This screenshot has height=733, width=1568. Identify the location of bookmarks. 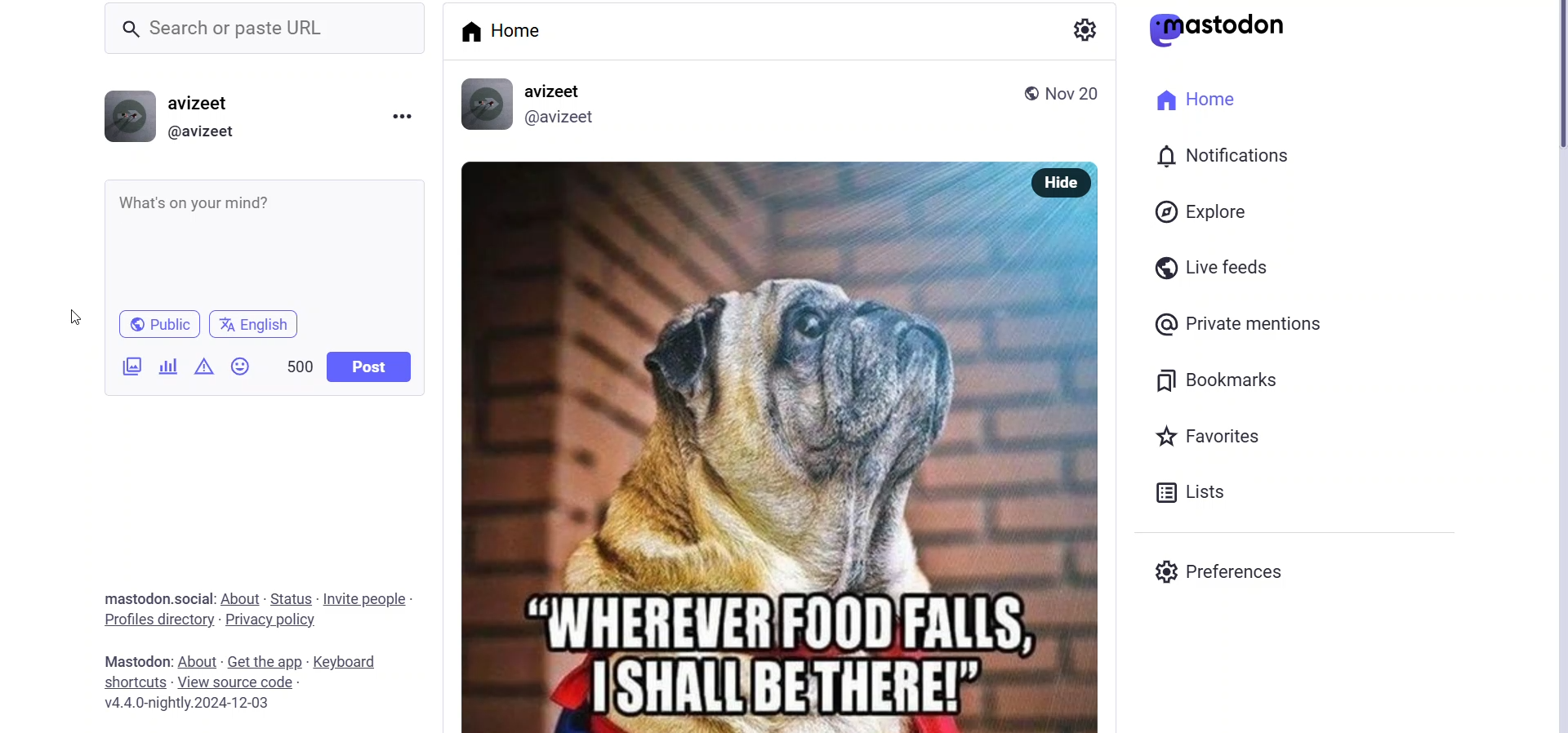
(1223, 377).